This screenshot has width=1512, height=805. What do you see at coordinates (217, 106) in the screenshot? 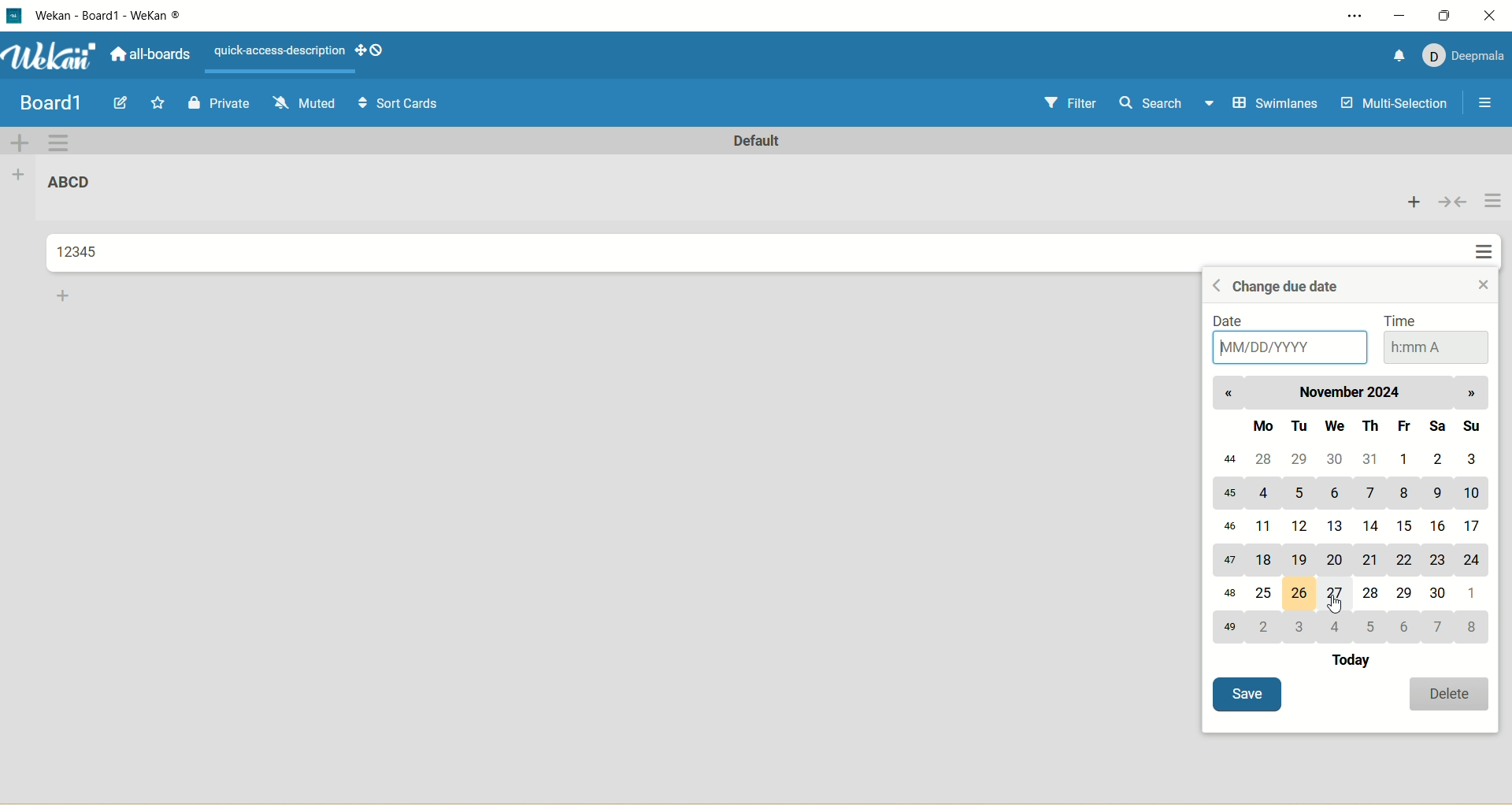
I see `private` at bounding box center [217, 106].